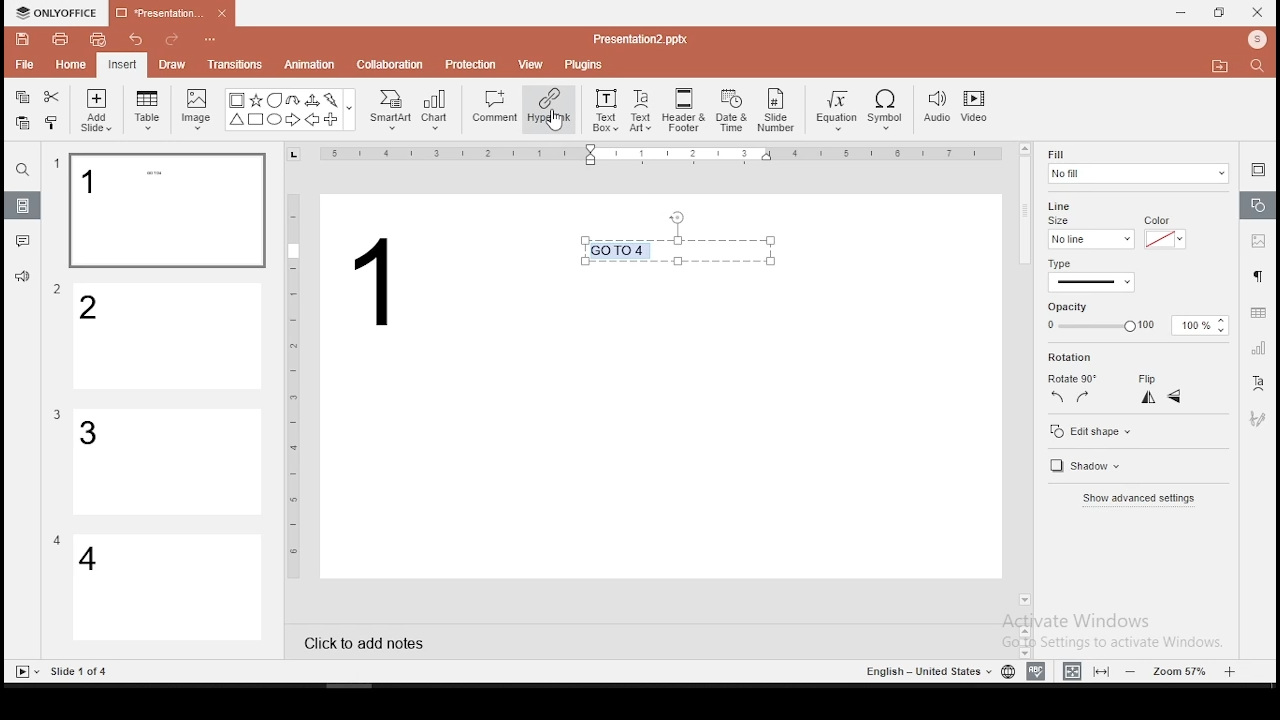 Image resolution: width=1280 pixels, height=720 pixels. What do you see at coordinates (1253, 418) in the screenshot?
I see `` at bounding box center [1253, 418].